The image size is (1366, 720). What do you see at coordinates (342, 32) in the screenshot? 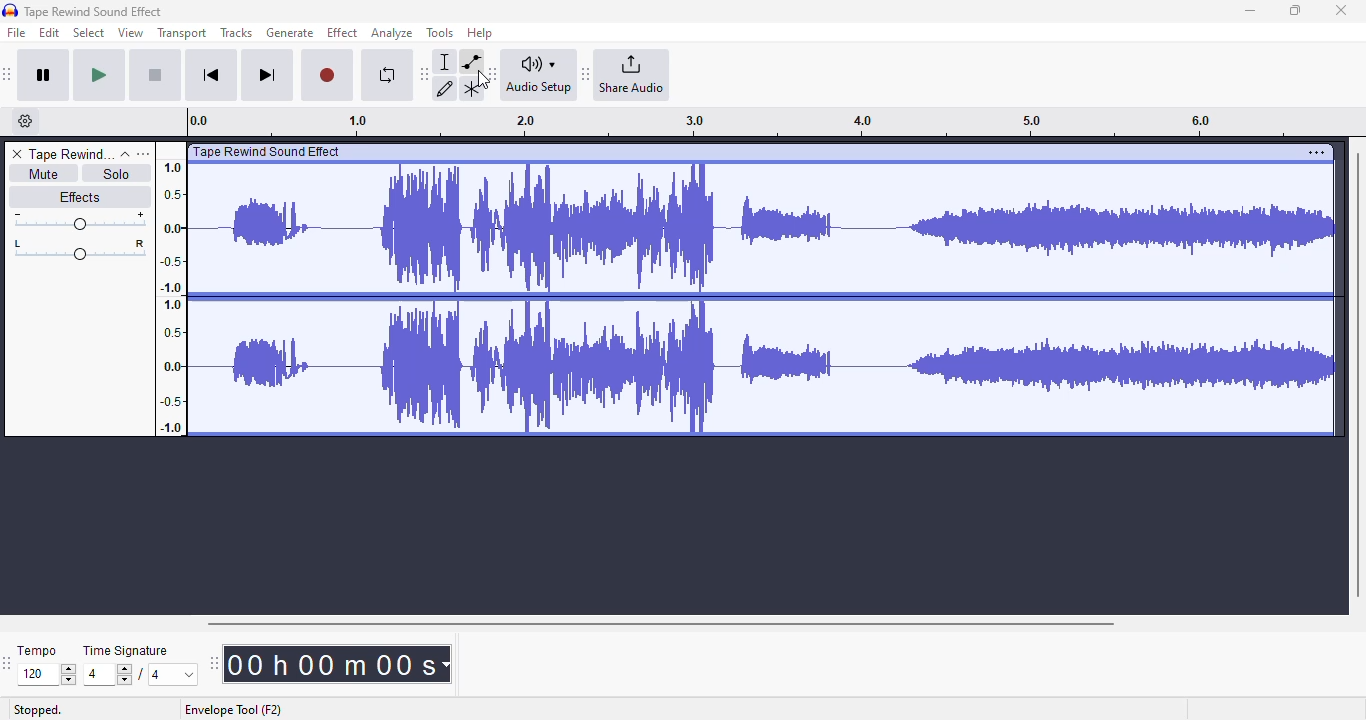
I see `effect` at bounding box center [342, 32].